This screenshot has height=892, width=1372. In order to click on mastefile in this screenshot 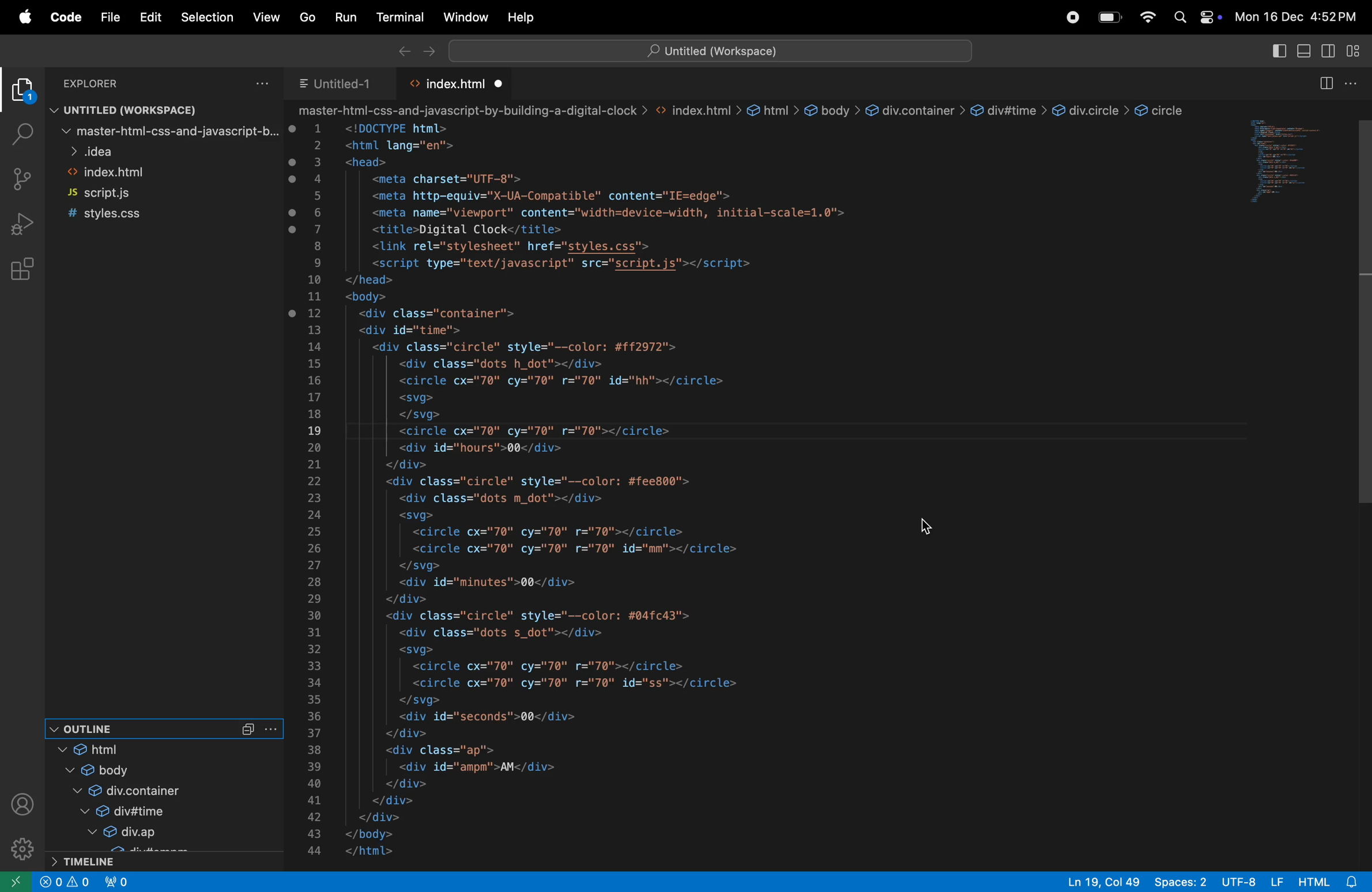, I will do `click(165, 131)`.